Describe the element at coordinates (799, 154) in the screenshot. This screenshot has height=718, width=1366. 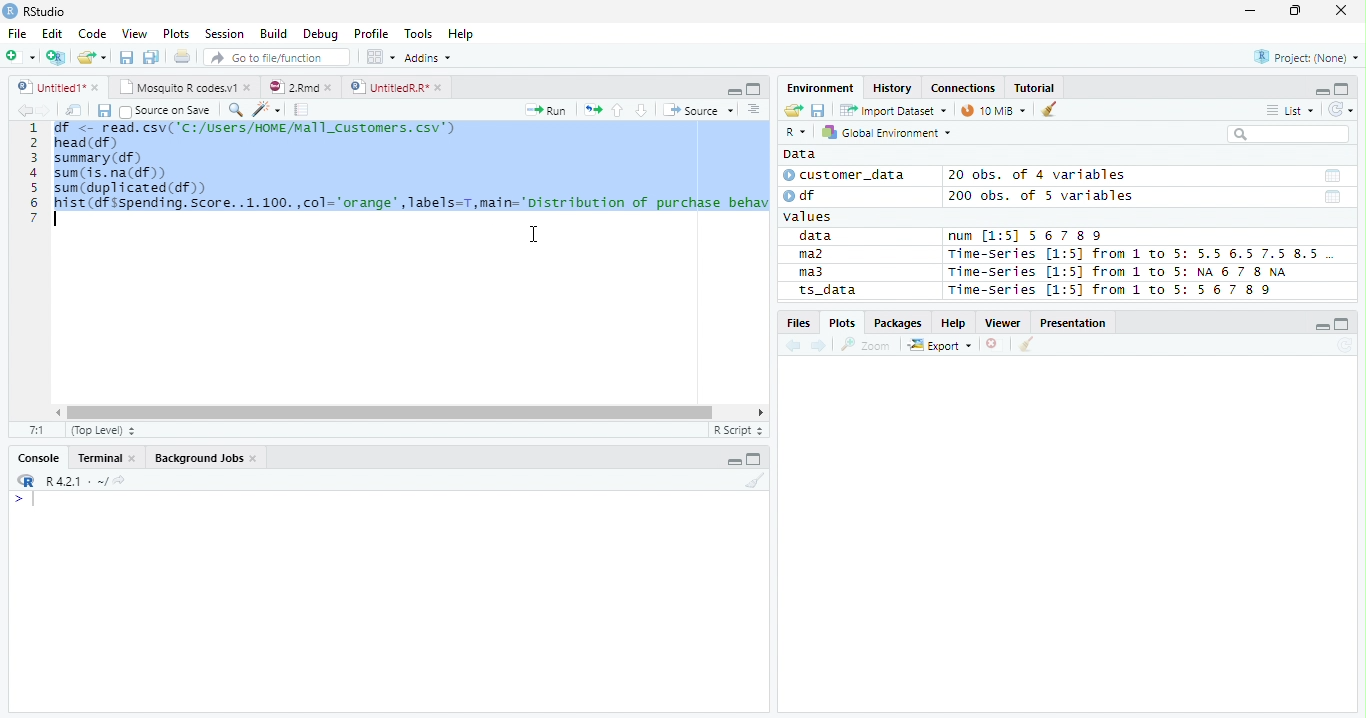
I see `Data` at that location.